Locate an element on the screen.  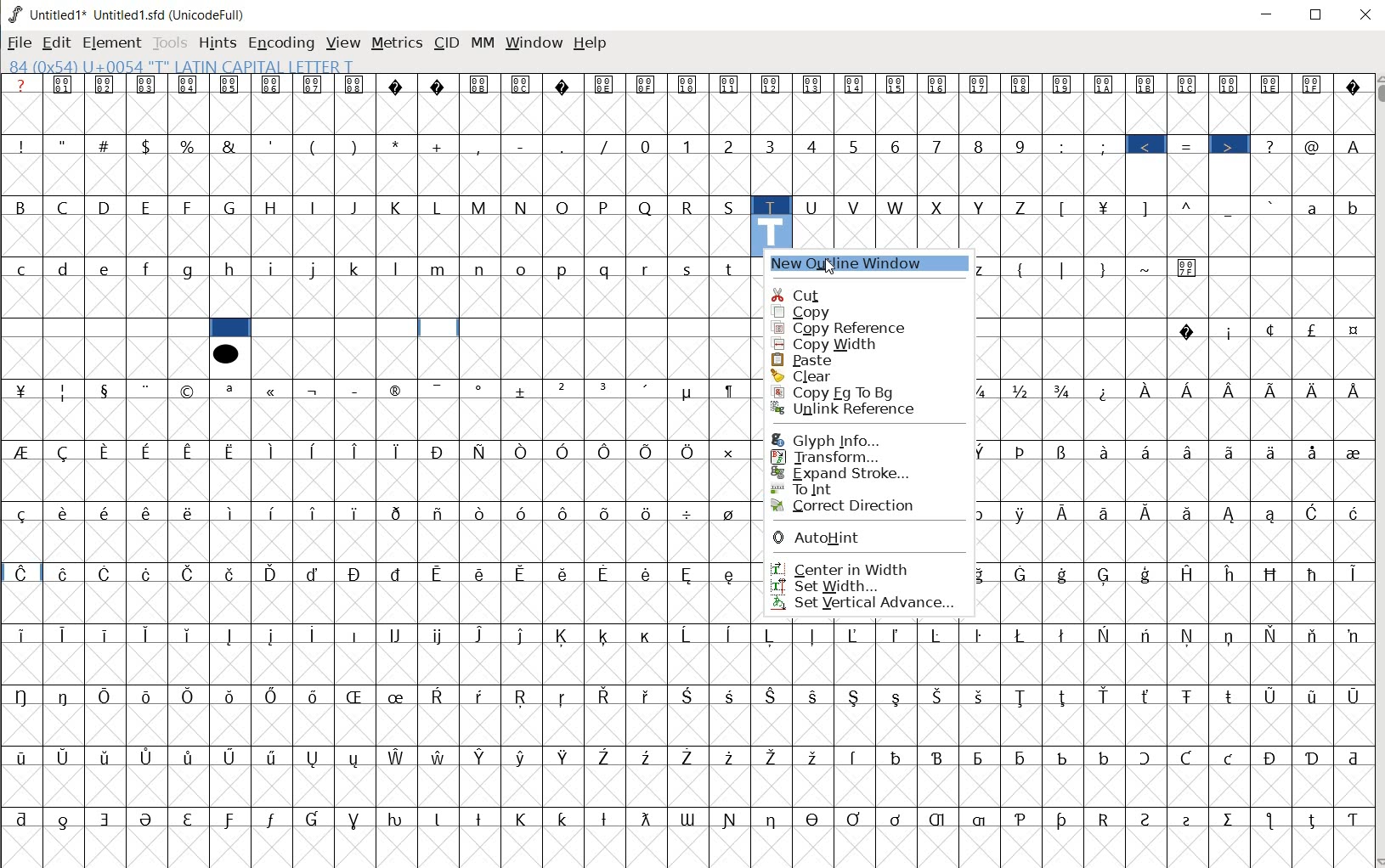
Symbol is located at coordinates (688, 451).